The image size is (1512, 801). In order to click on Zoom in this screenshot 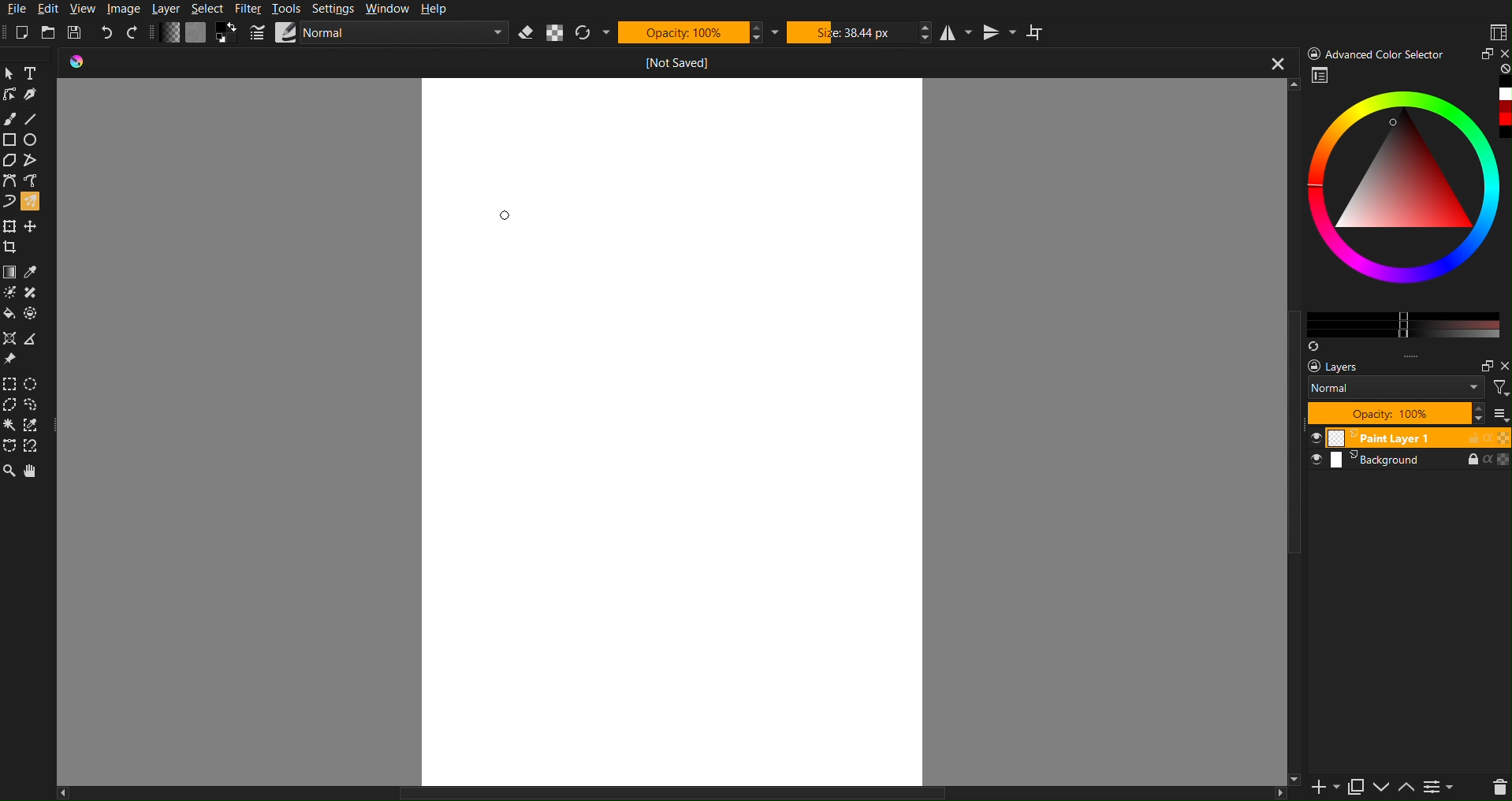, I will do `click(9, 472)`.